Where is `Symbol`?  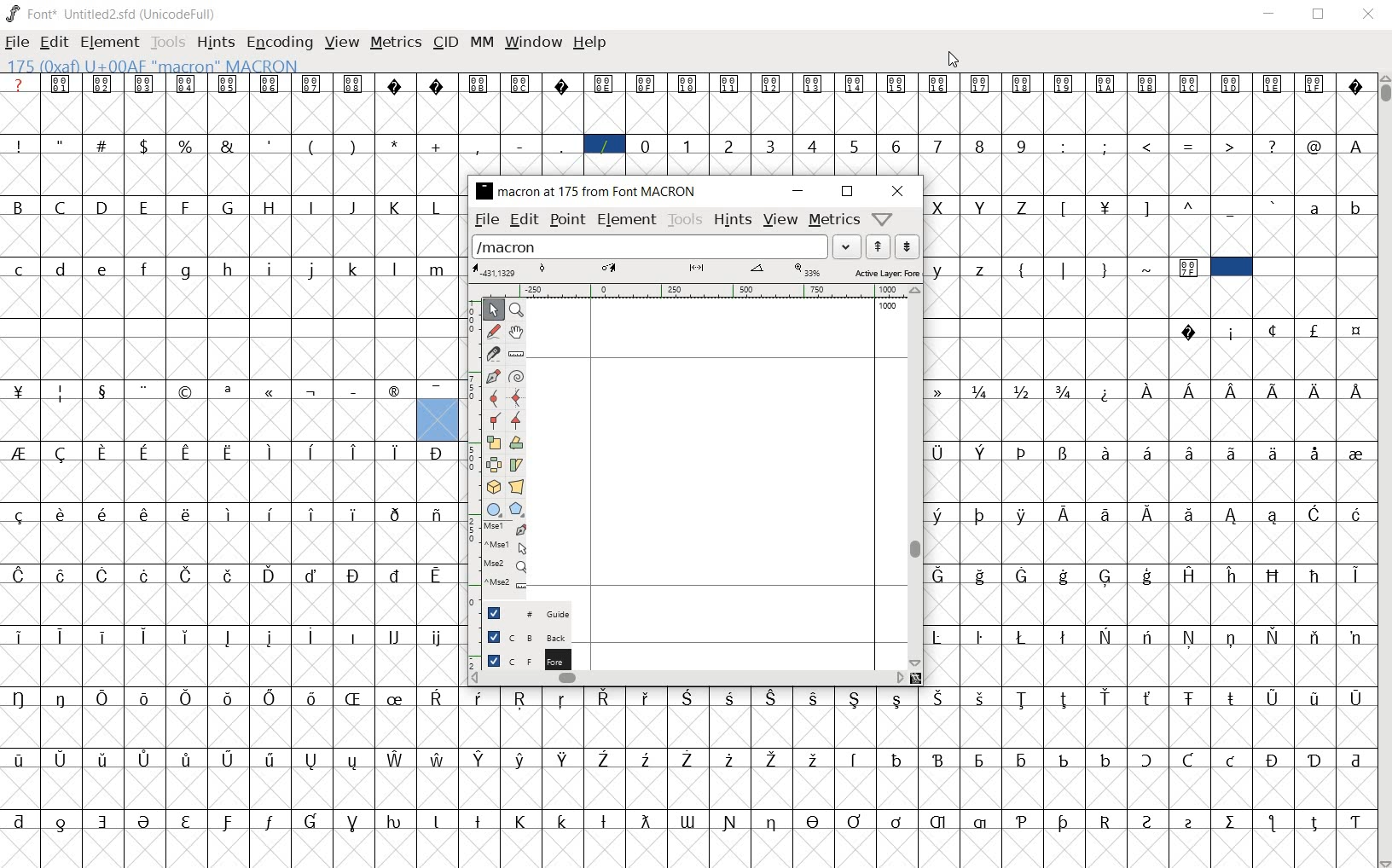
Symbol is located at coordinates (940, 84).